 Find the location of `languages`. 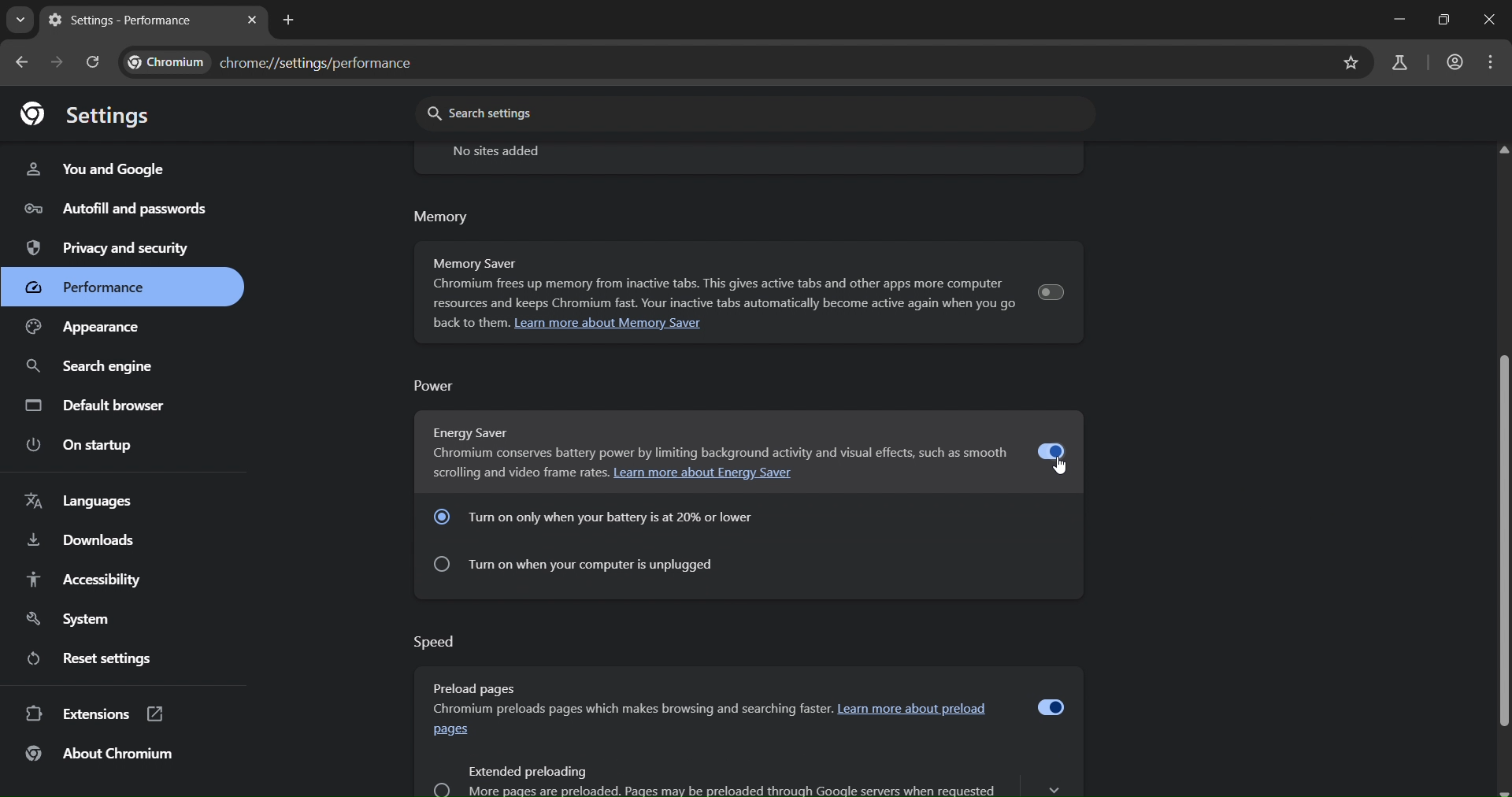

languages is located at coordinates (80, 500).